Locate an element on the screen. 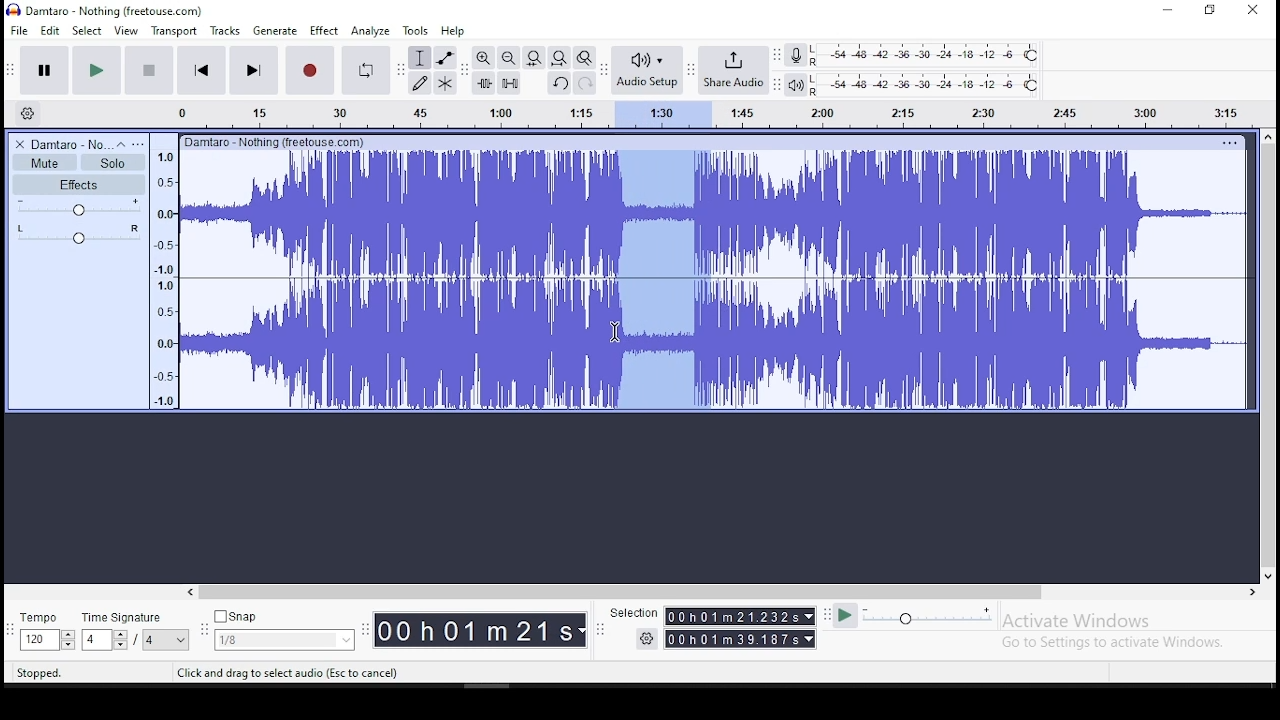 The image size is (1280, 720). 00 h 01 m 39.187s is located at coordinates (733, 639).